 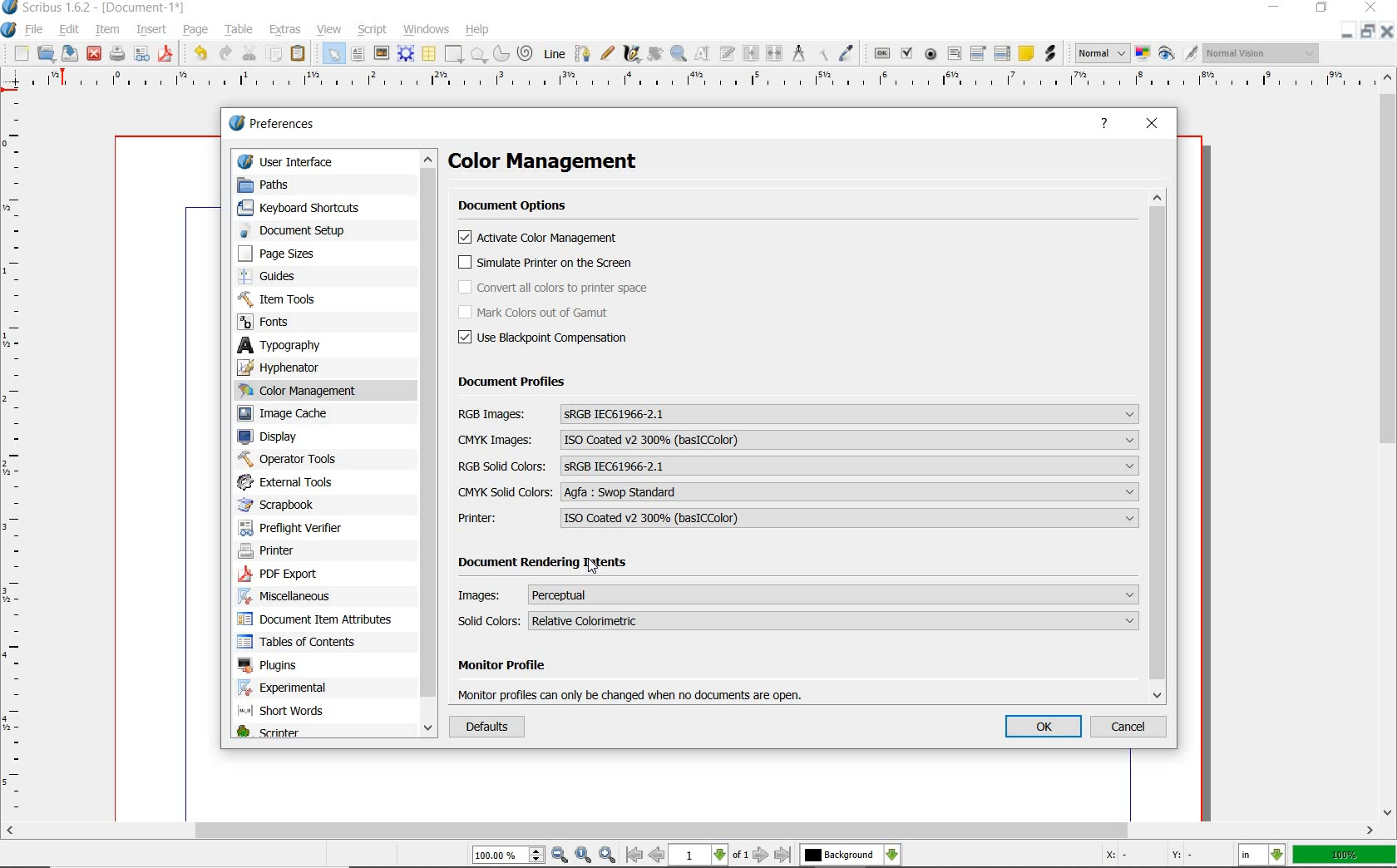 I want to click on preferences, so click(x=277, y=126).